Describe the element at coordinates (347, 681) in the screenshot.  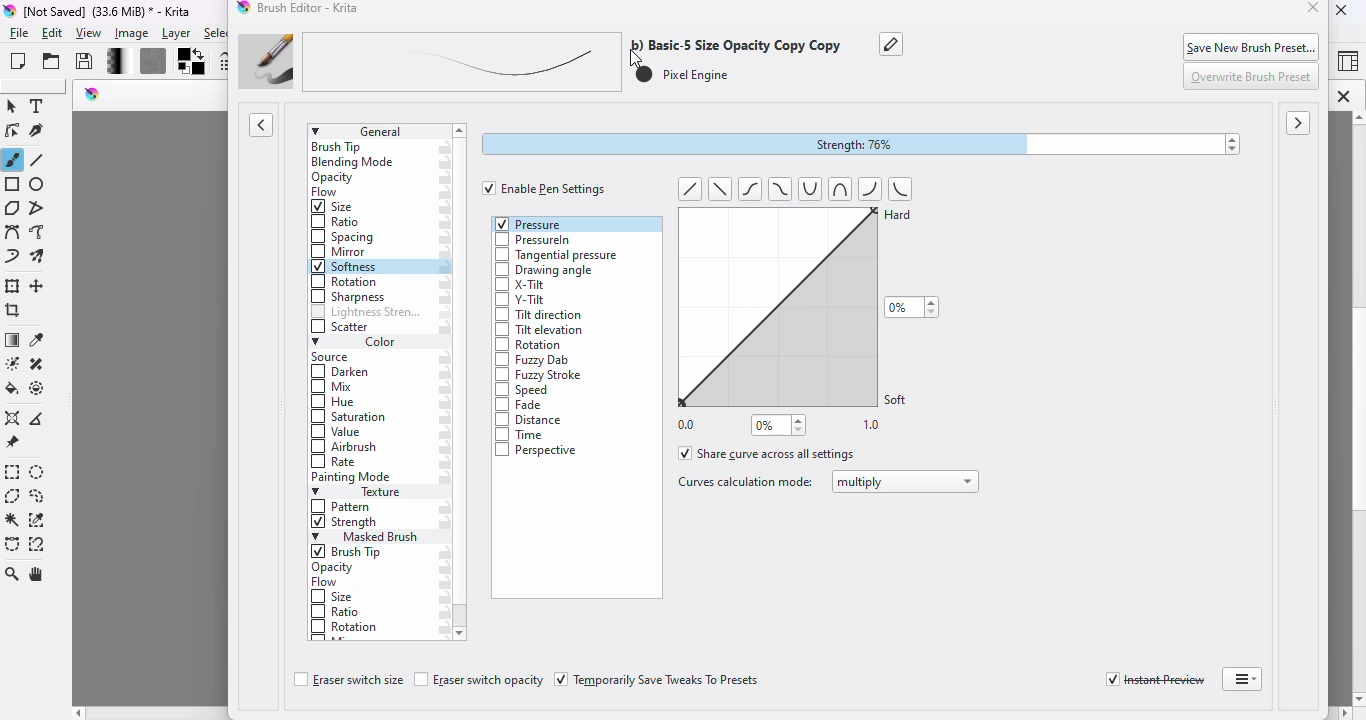
I see `eraser switch size` at that location.